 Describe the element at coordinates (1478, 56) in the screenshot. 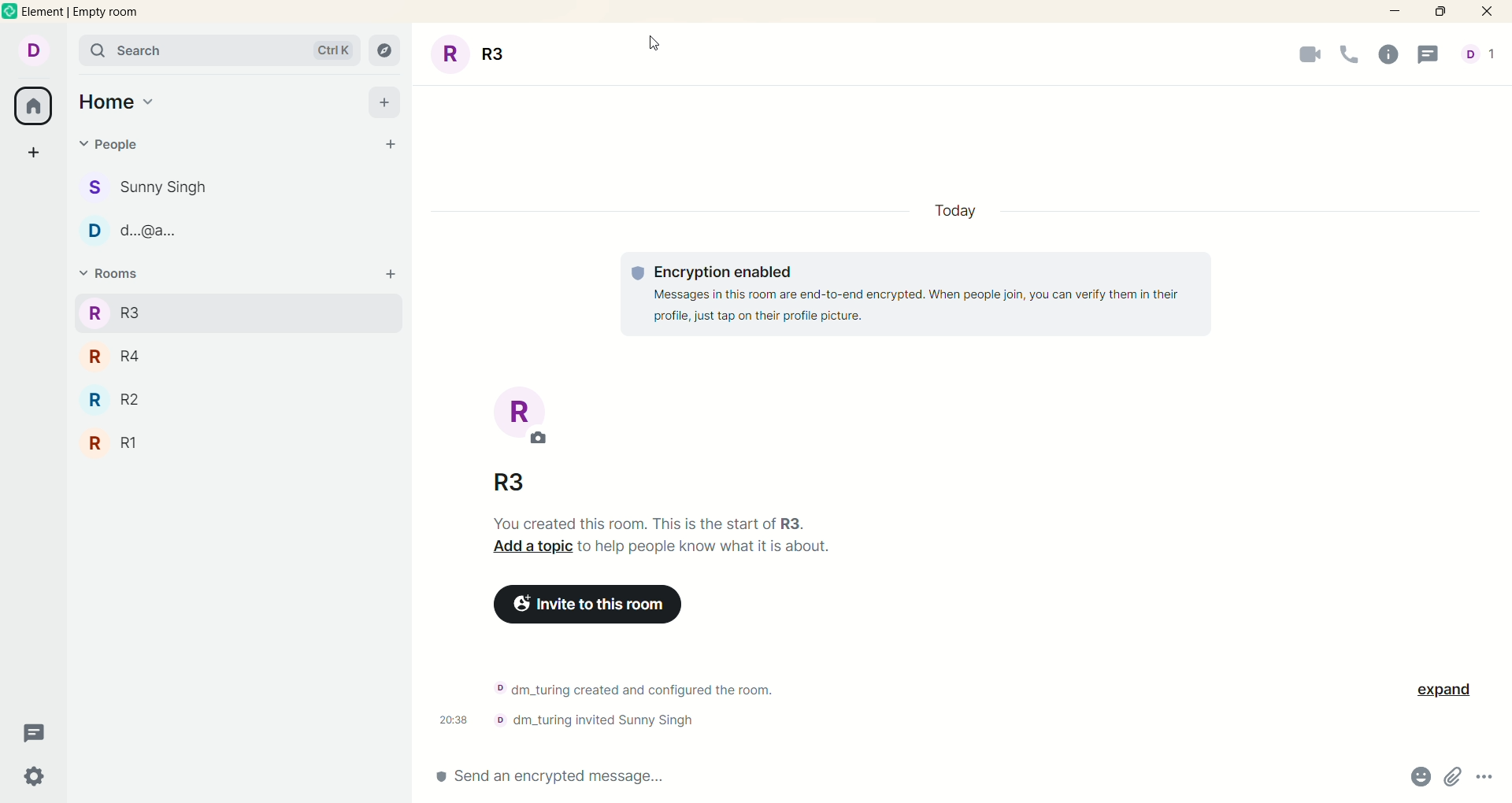

I see `people` at that location.